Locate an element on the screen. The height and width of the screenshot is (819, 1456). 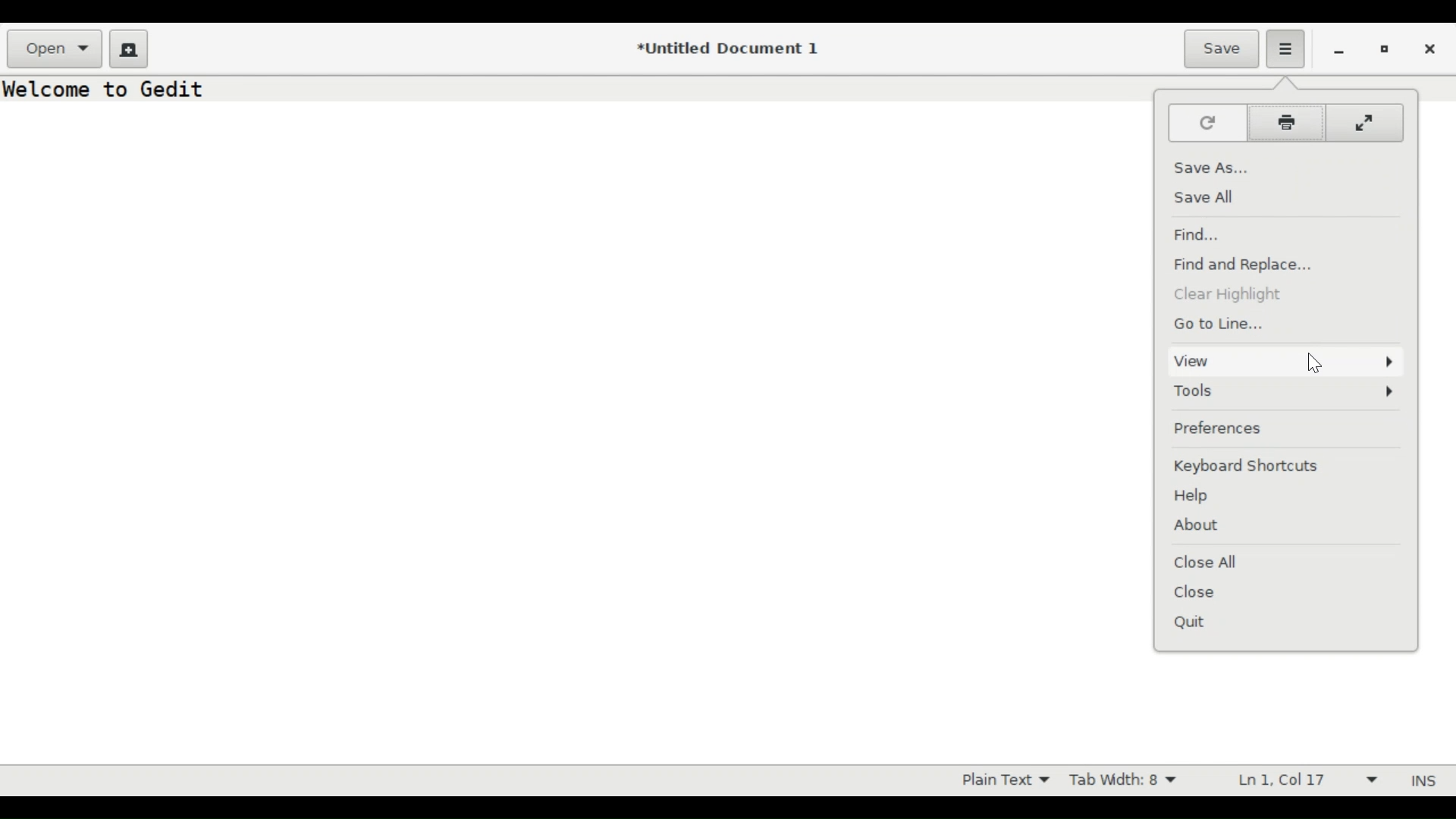
Reload is located at coordinates (1204, 122).